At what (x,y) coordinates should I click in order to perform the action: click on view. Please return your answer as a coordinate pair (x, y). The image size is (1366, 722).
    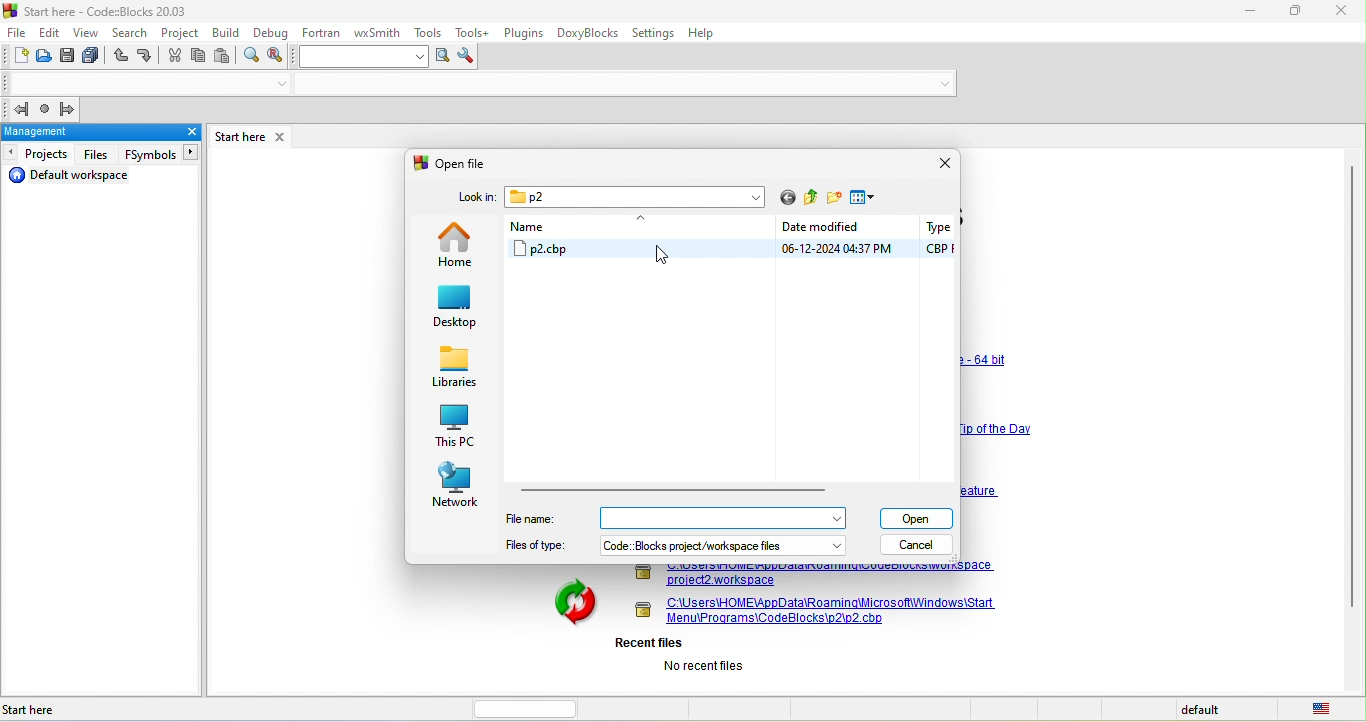
    Looking at the image, I should click on (89, 34).